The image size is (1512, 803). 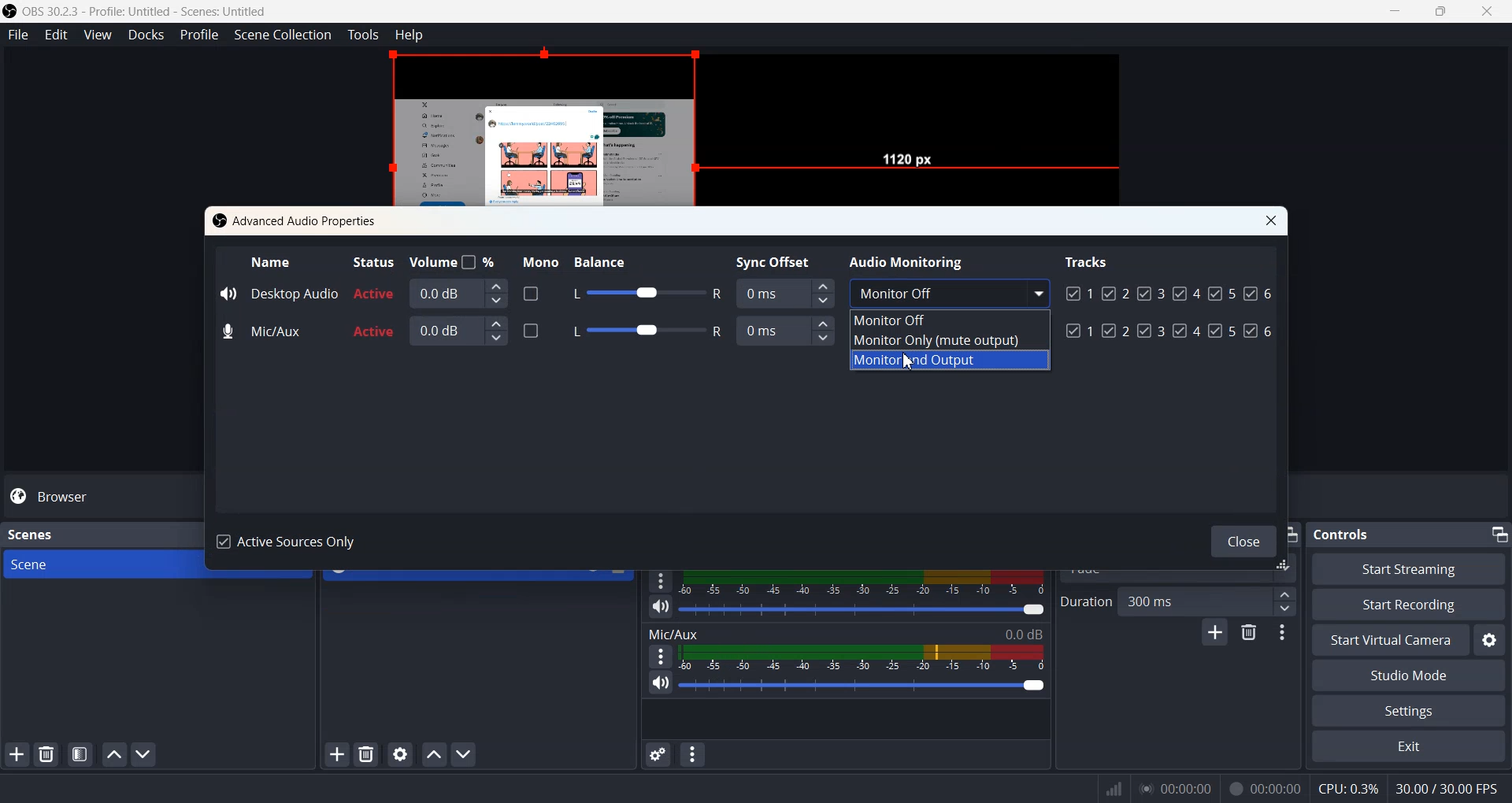 What do you see at coordinates (656, 754) in the screenshot?
I see `Advance audio properties` at bounding box center [656, 754].